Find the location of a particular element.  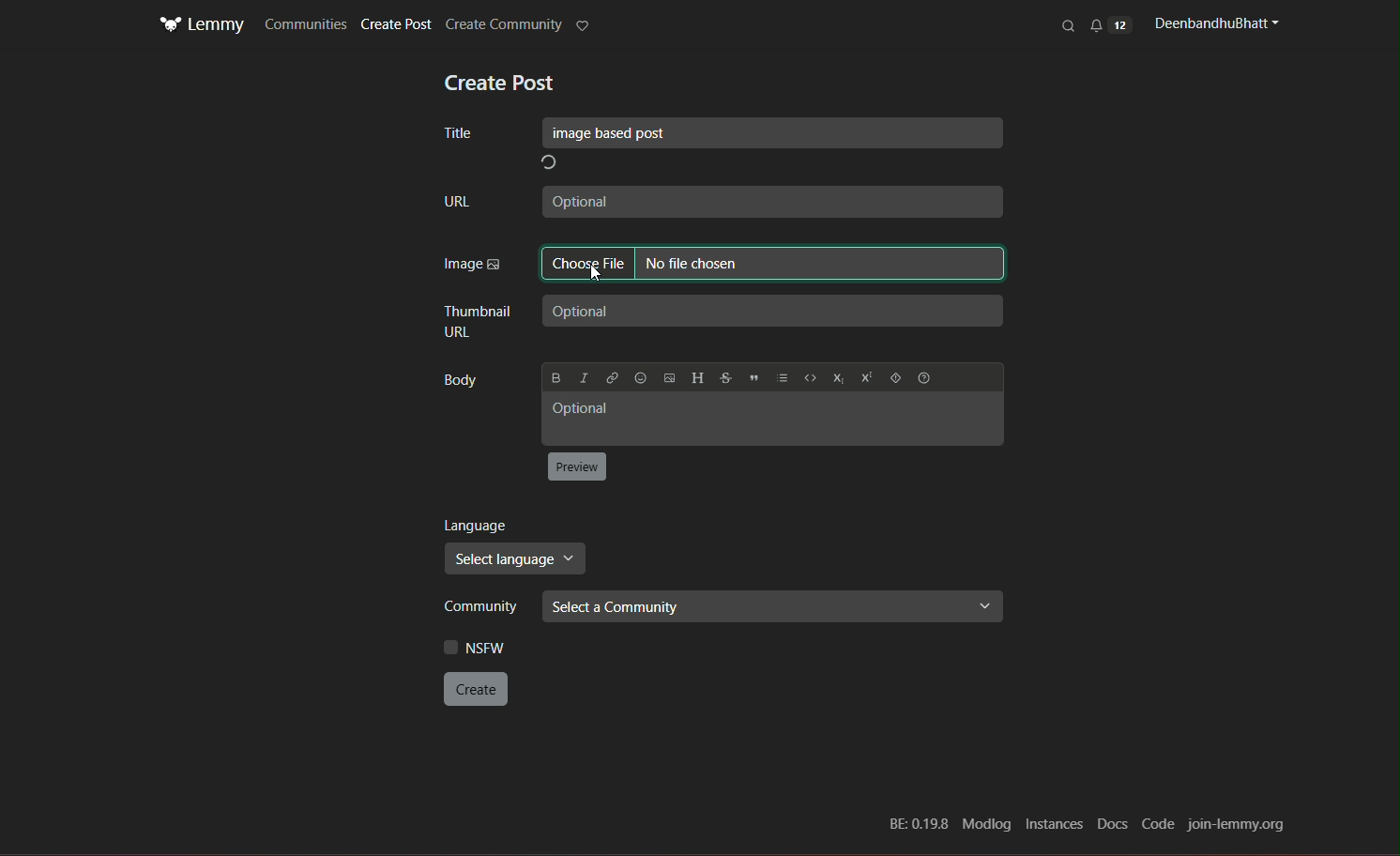

Image based post is located at coordinates (773, 132).